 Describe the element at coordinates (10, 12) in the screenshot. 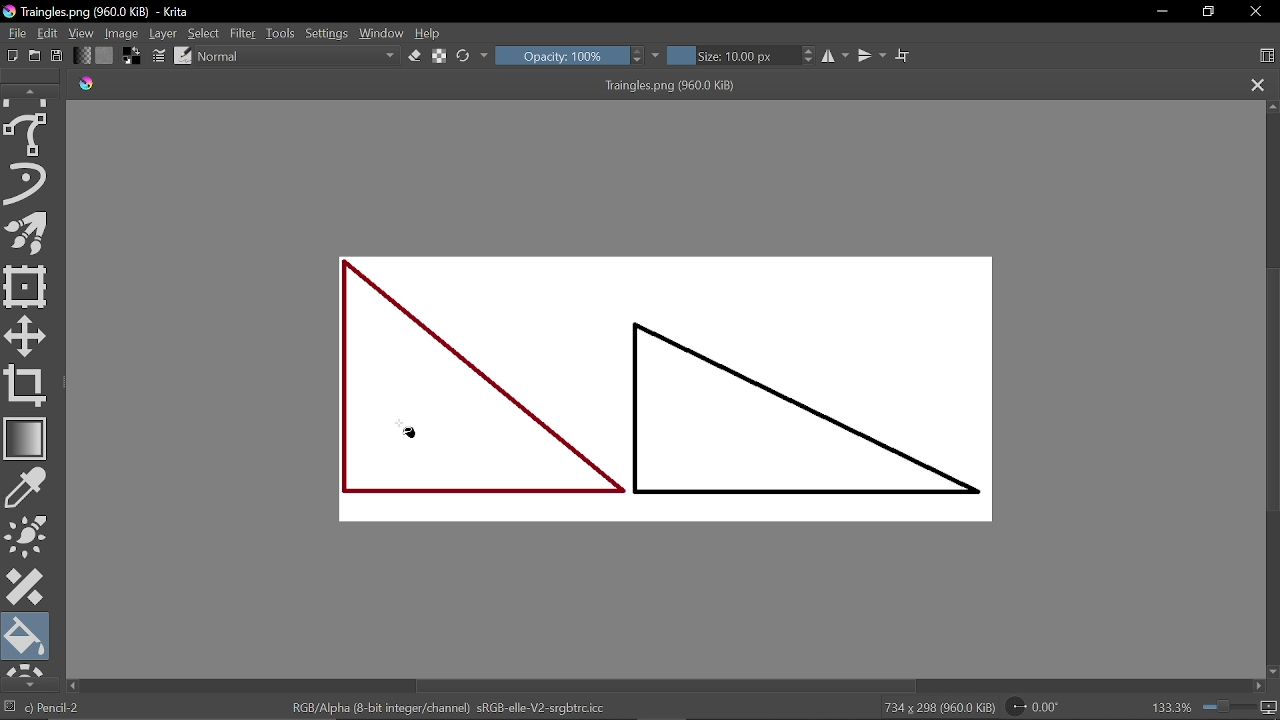

I see `App icon` at that location.